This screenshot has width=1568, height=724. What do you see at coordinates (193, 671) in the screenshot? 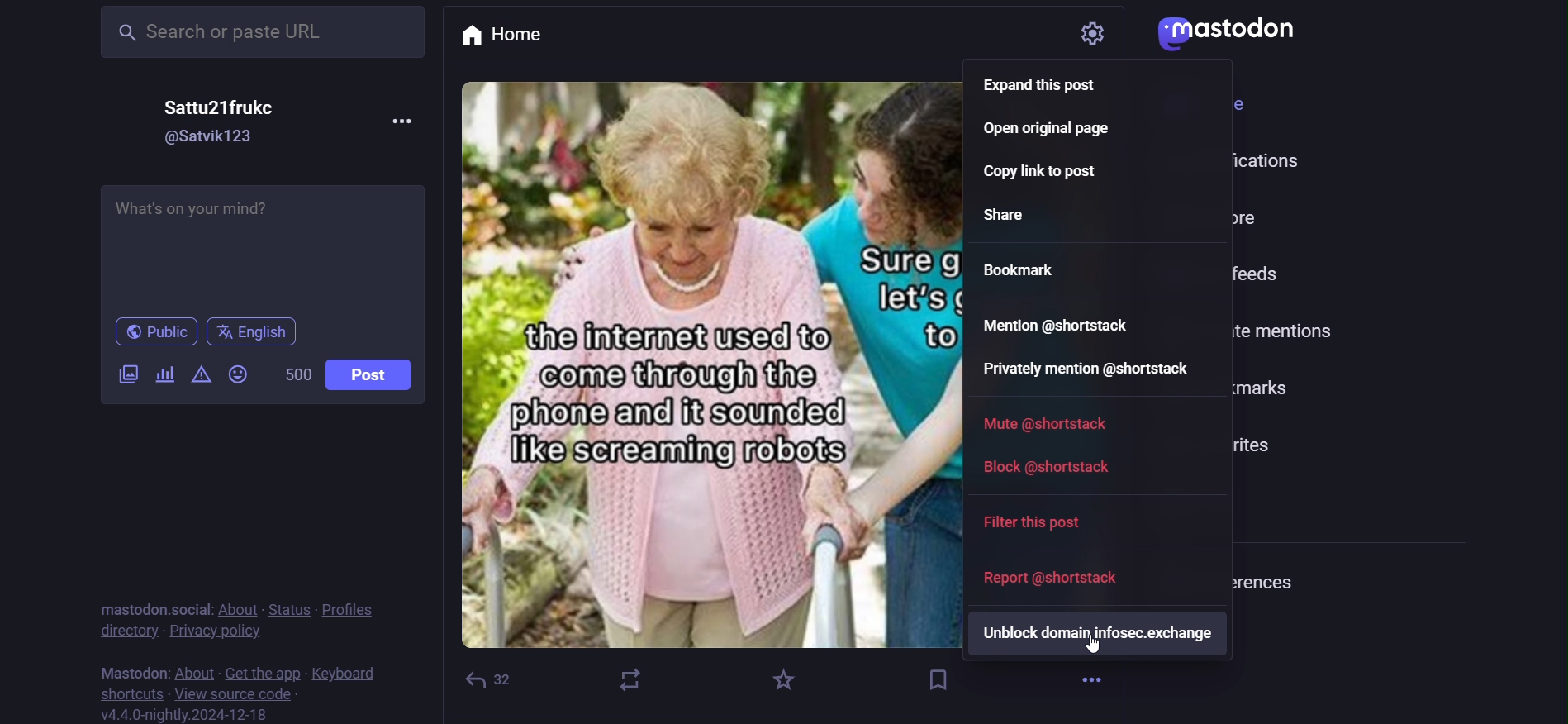
I see `about` at bounding box center [193, 671].